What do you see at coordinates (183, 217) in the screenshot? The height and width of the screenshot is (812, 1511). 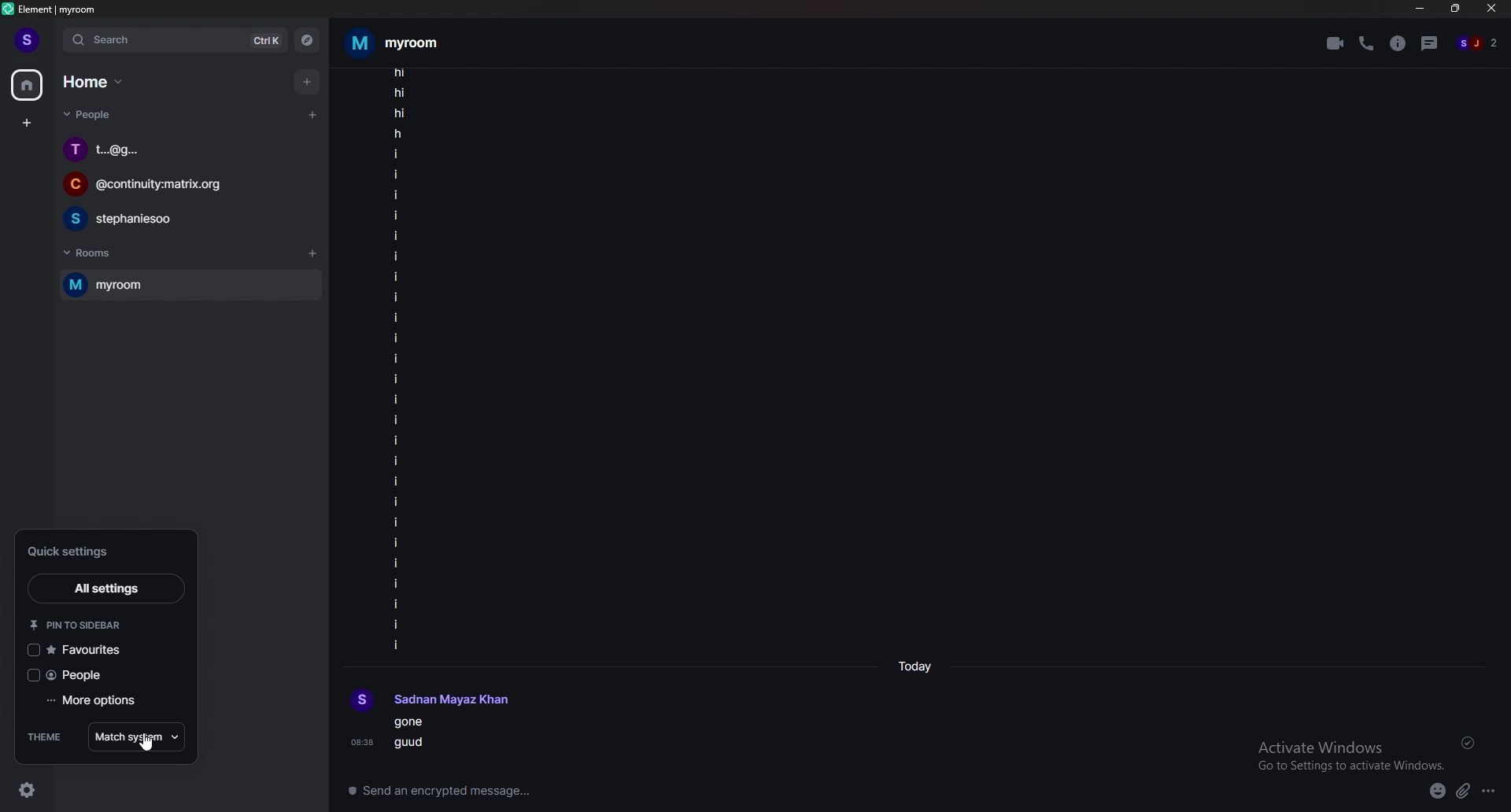 I see `chat` at bounding box center [183, 217].